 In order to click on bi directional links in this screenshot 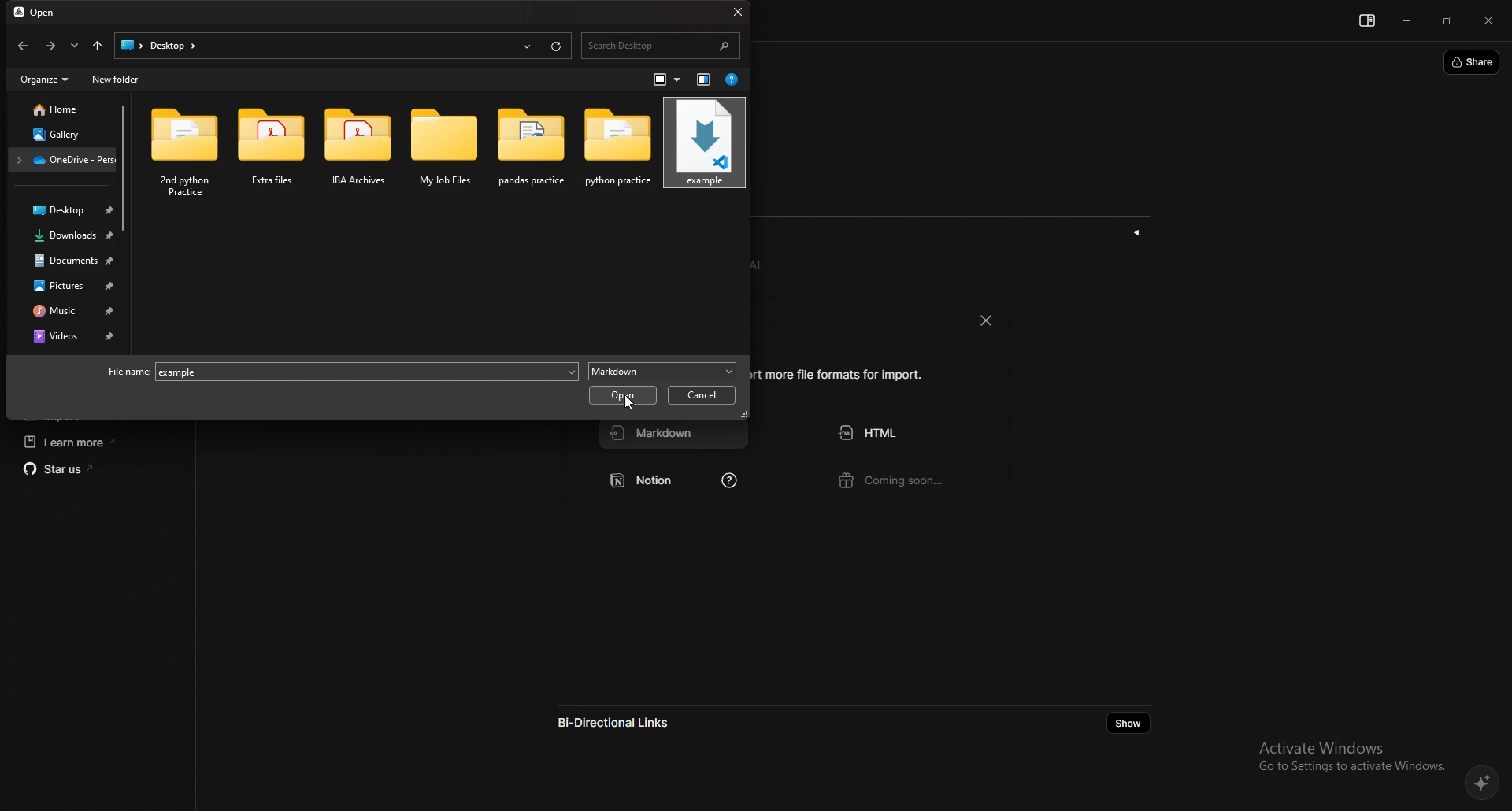, I will do `click(627, 723)`.